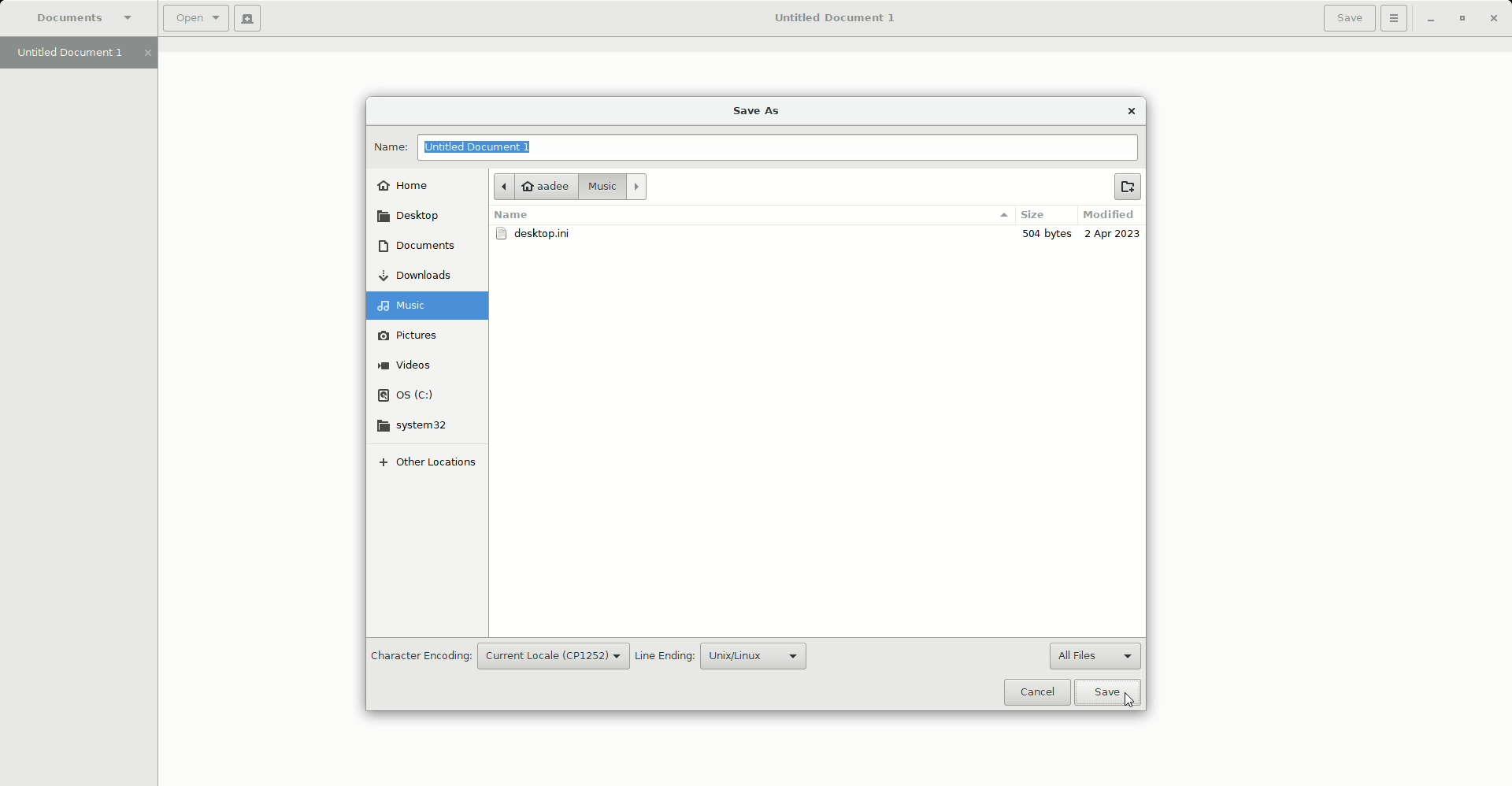  I want to click on Desktop, so click(412, 217).